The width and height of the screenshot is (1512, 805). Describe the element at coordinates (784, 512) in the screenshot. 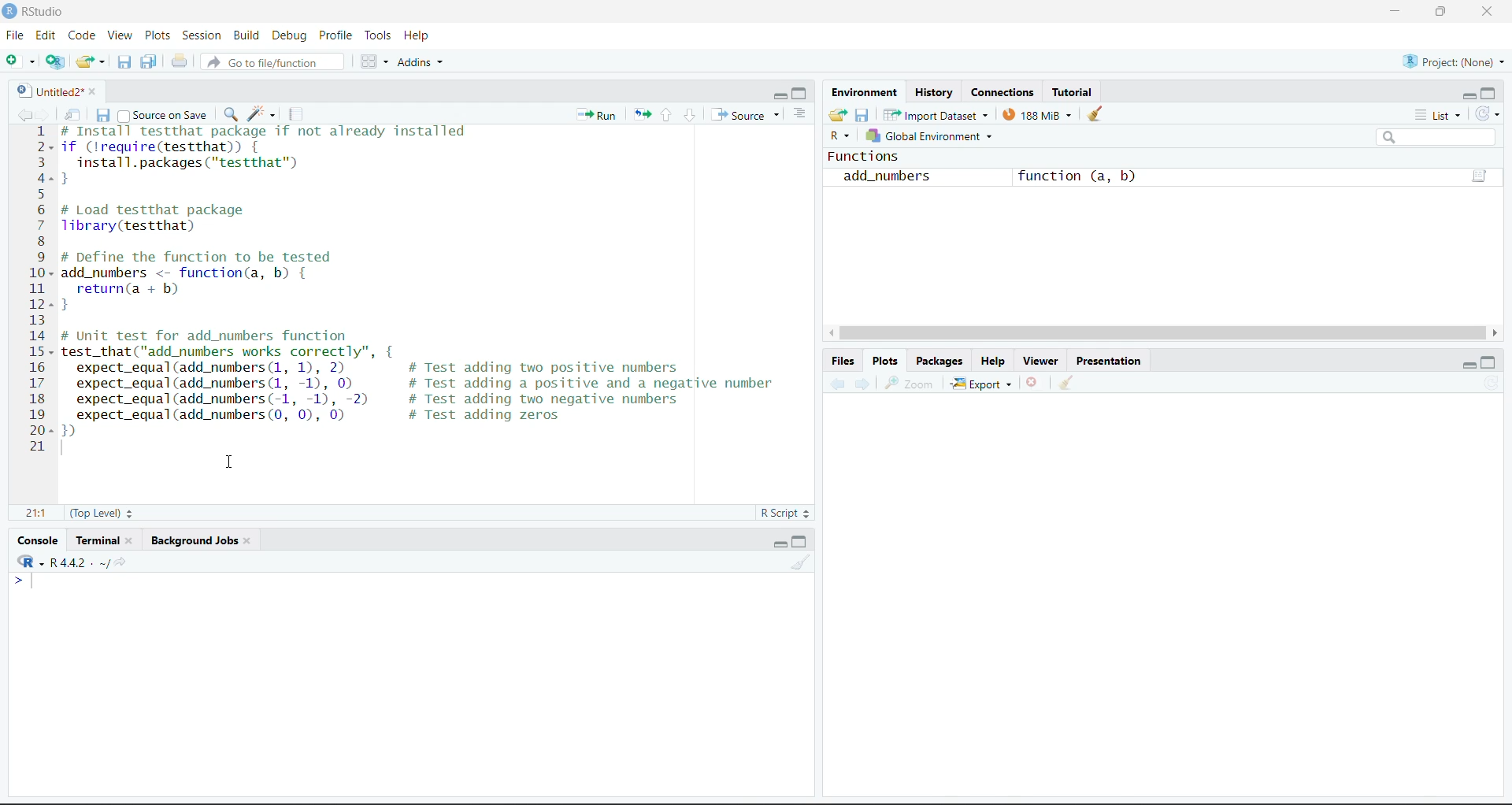

I see `R Script` at that location.